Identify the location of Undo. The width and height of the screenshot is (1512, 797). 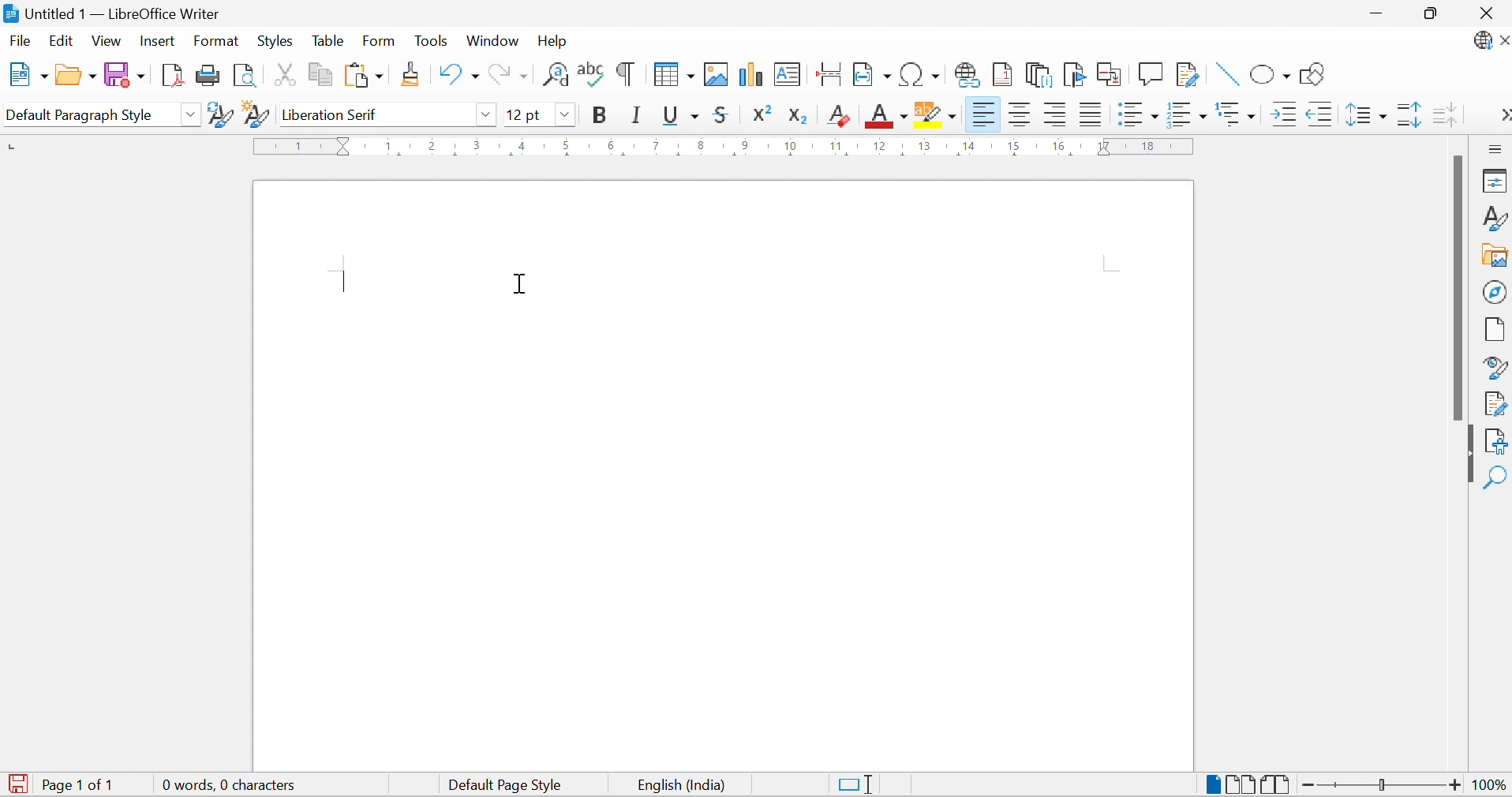
(456, 75).